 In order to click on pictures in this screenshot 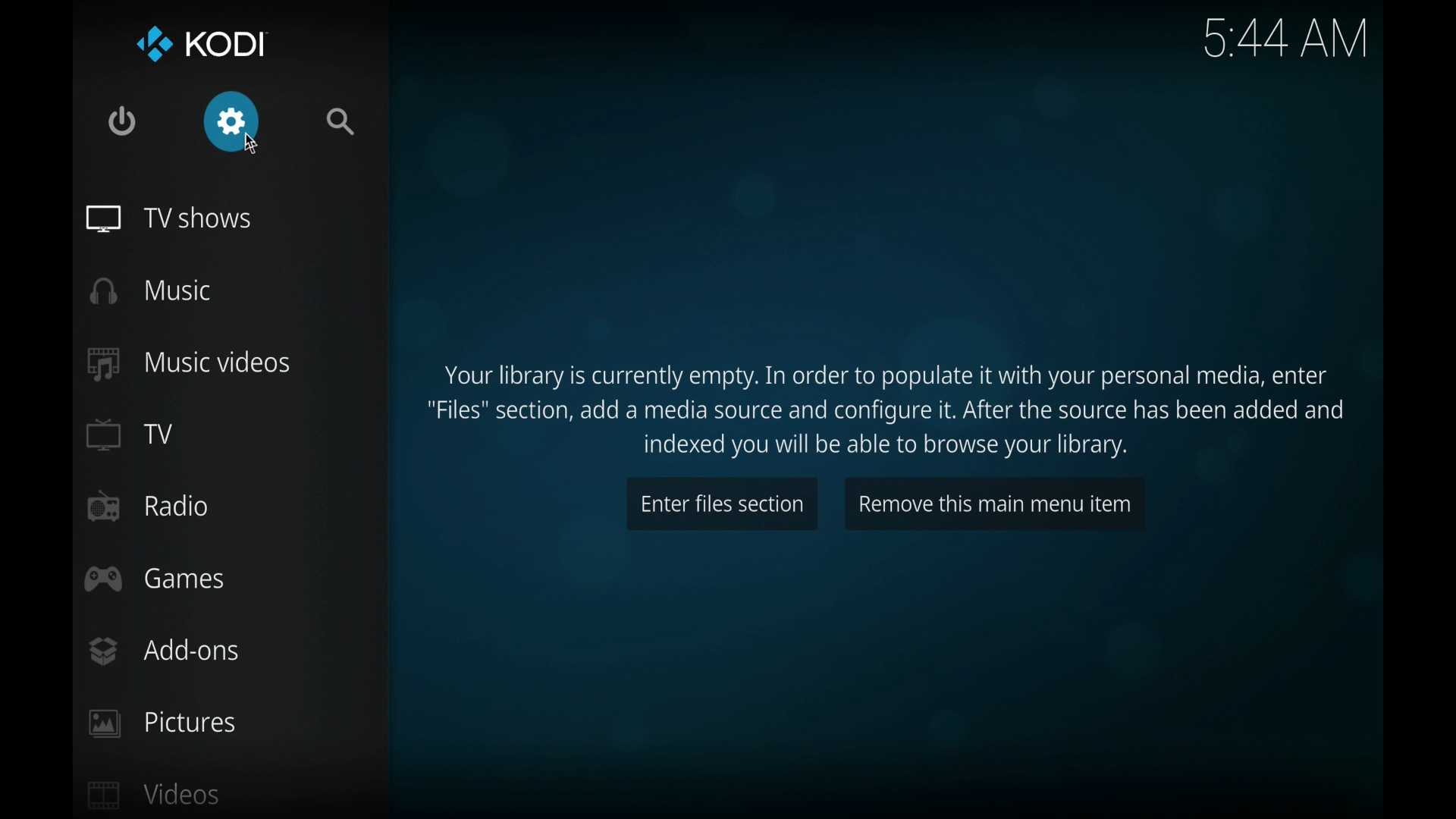, I will do `click(163, 723)`.